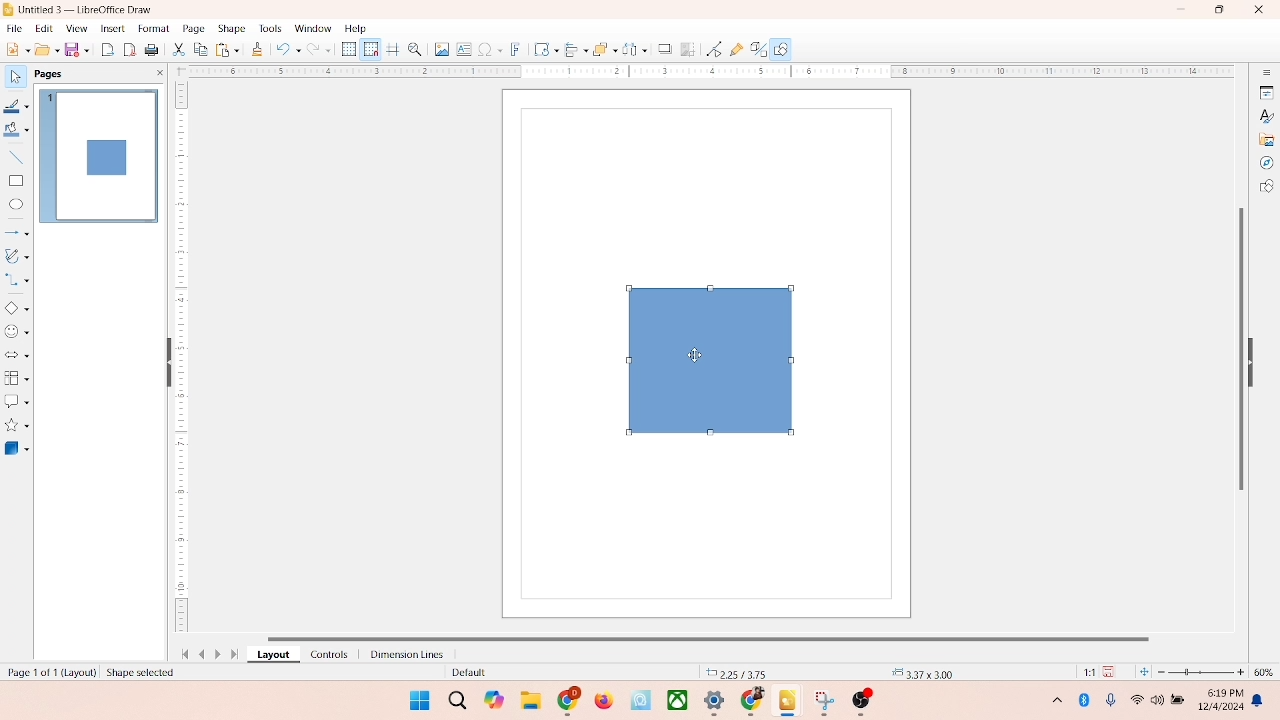 The height and width of the screenshot is (720, 1280). I want to click on dimension lines, so click(402, 654).